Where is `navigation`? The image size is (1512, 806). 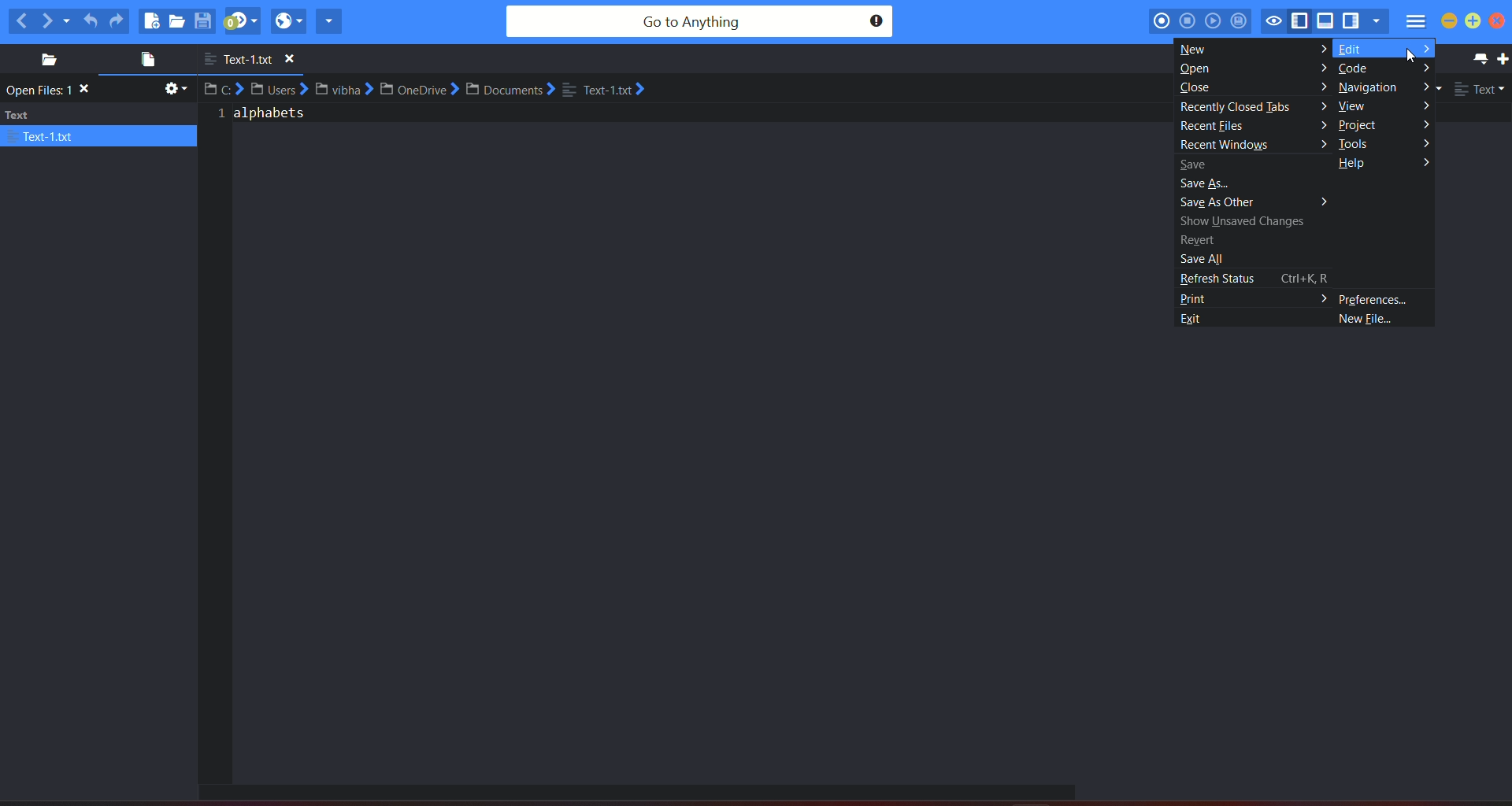 navigation is located at coordinates (1369, 87).